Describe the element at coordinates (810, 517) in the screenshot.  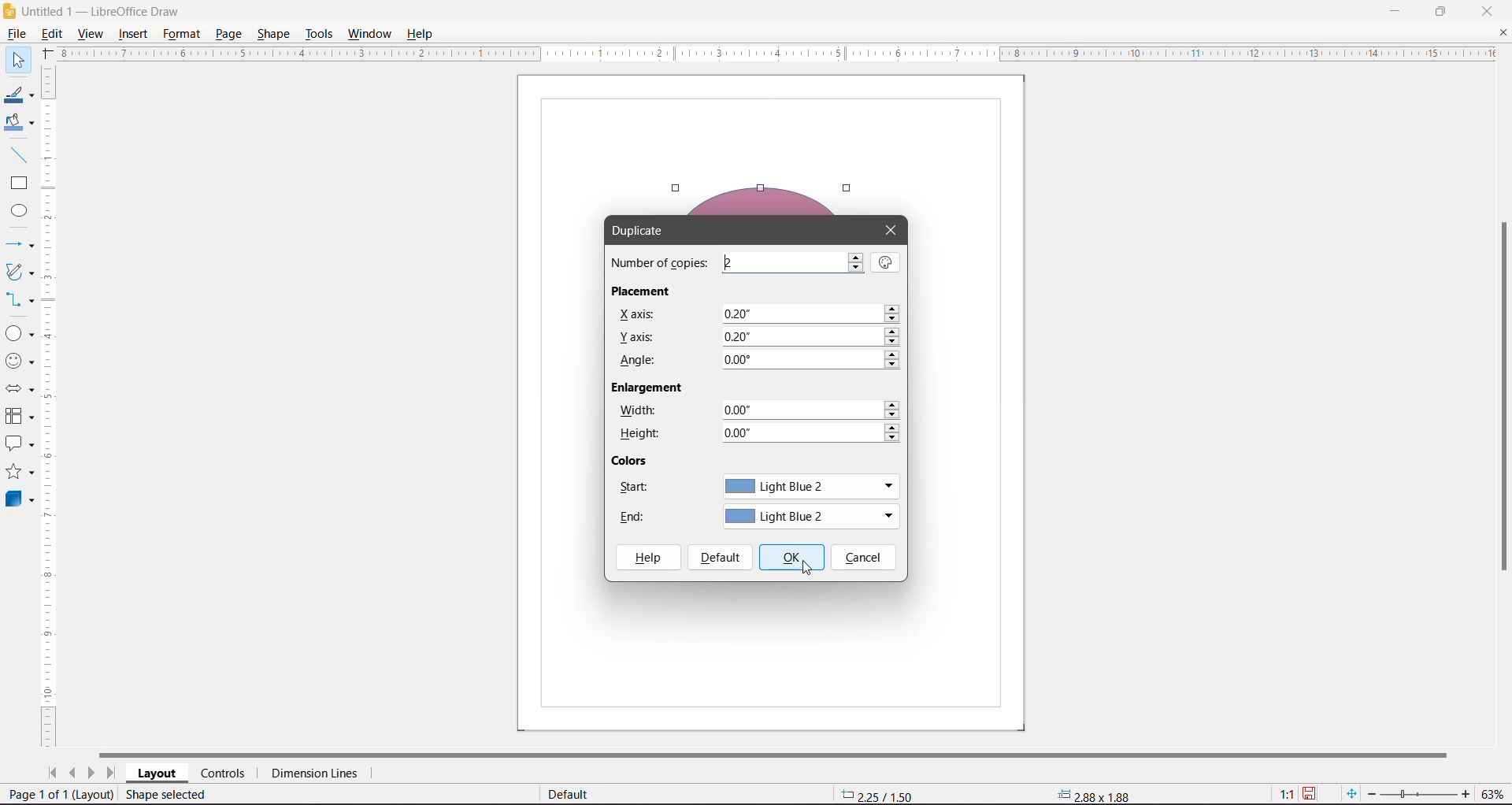
I see `Set the end color of the duplicated shape` at that location.